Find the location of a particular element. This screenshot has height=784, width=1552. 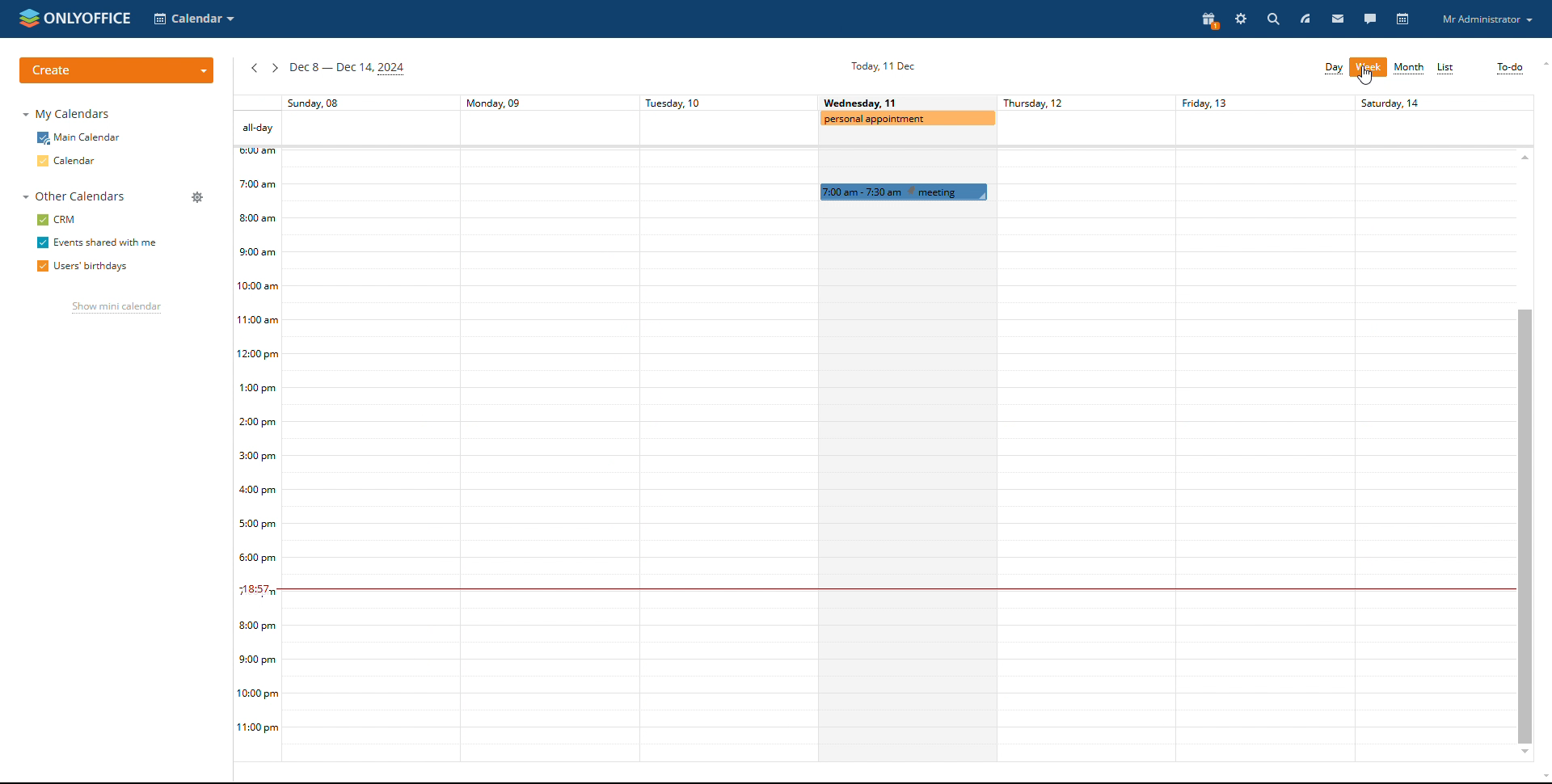

timeline is located at coordinates (255, 436).